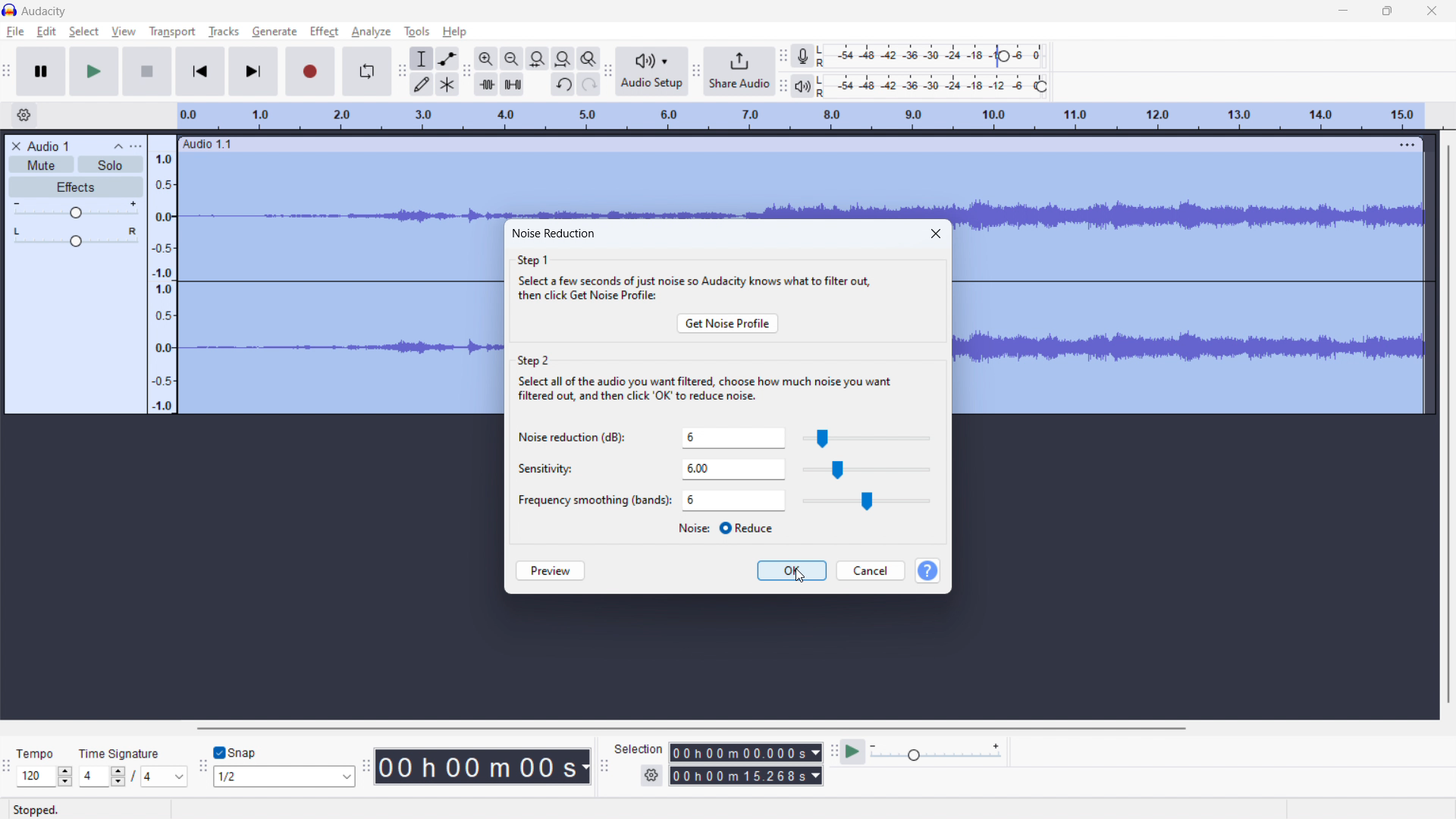 This screenshot has height=819, width=1456. What do you see at coordinates (1432, 11) in the screenshot?
I see `close` at bounding box center [1432, 11].